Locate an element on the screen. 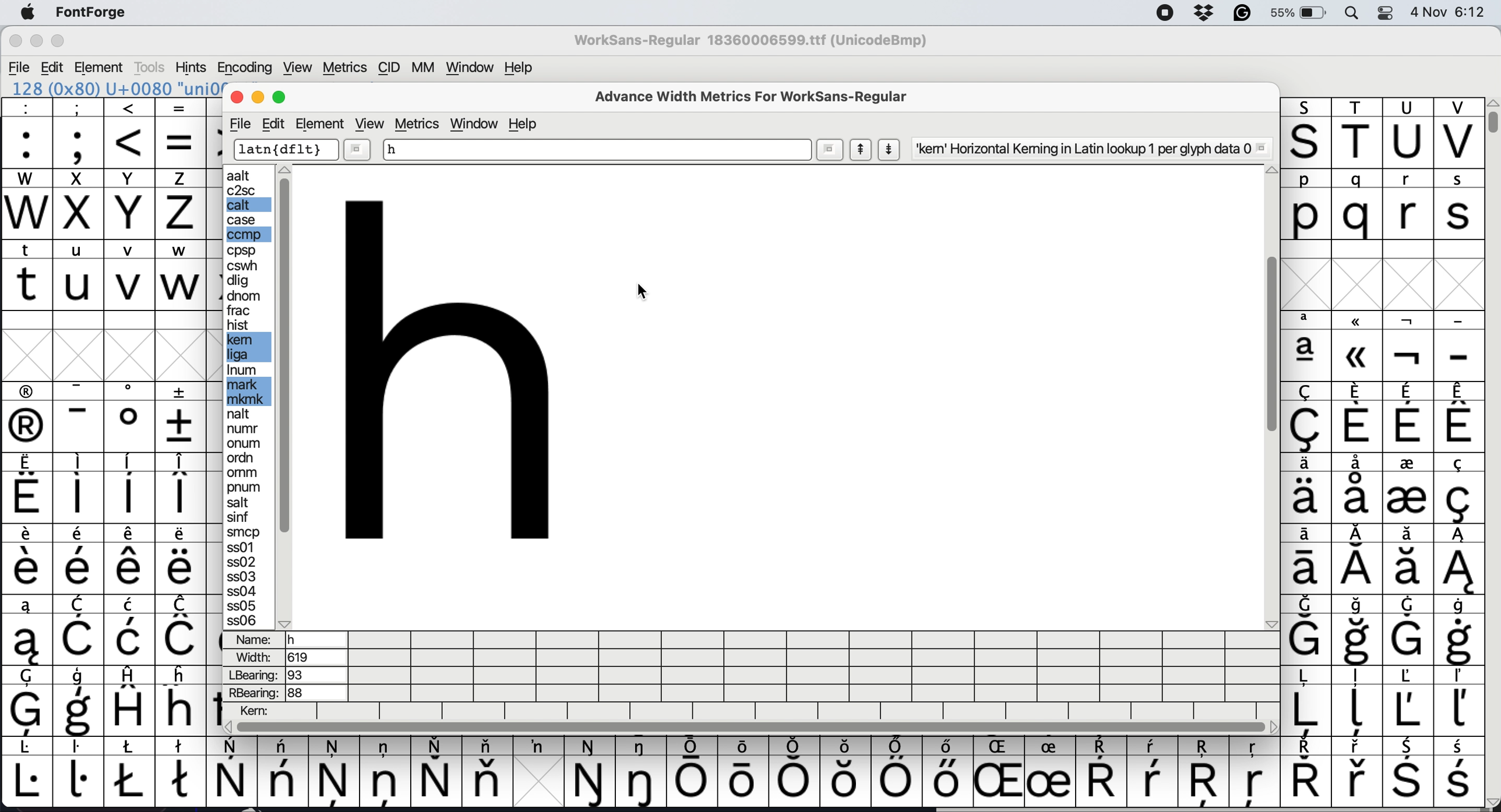 This screenshot has height=812, width=1501. Maximize is located at coordinates (63, 41).